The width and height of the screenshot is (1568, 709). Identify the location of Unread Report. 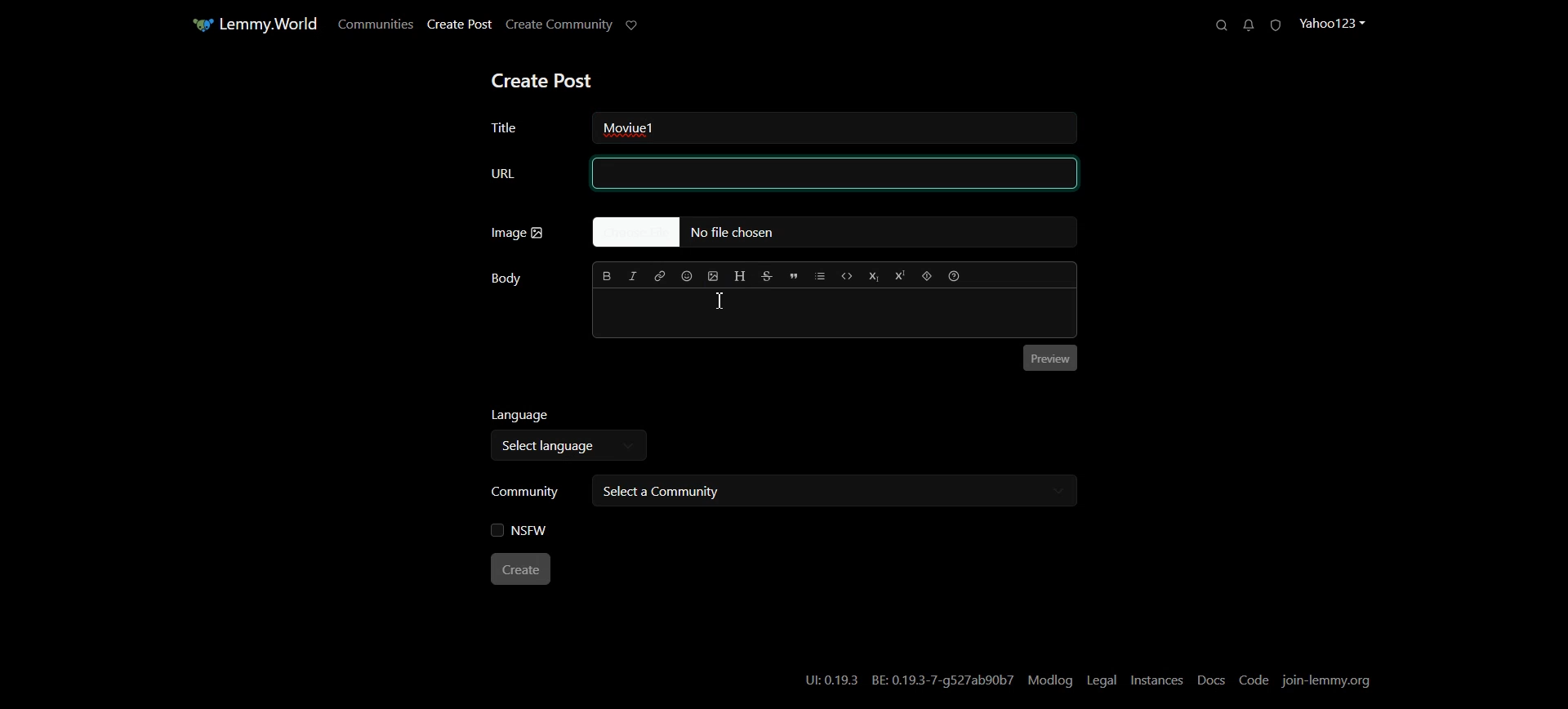
(1280, 25).